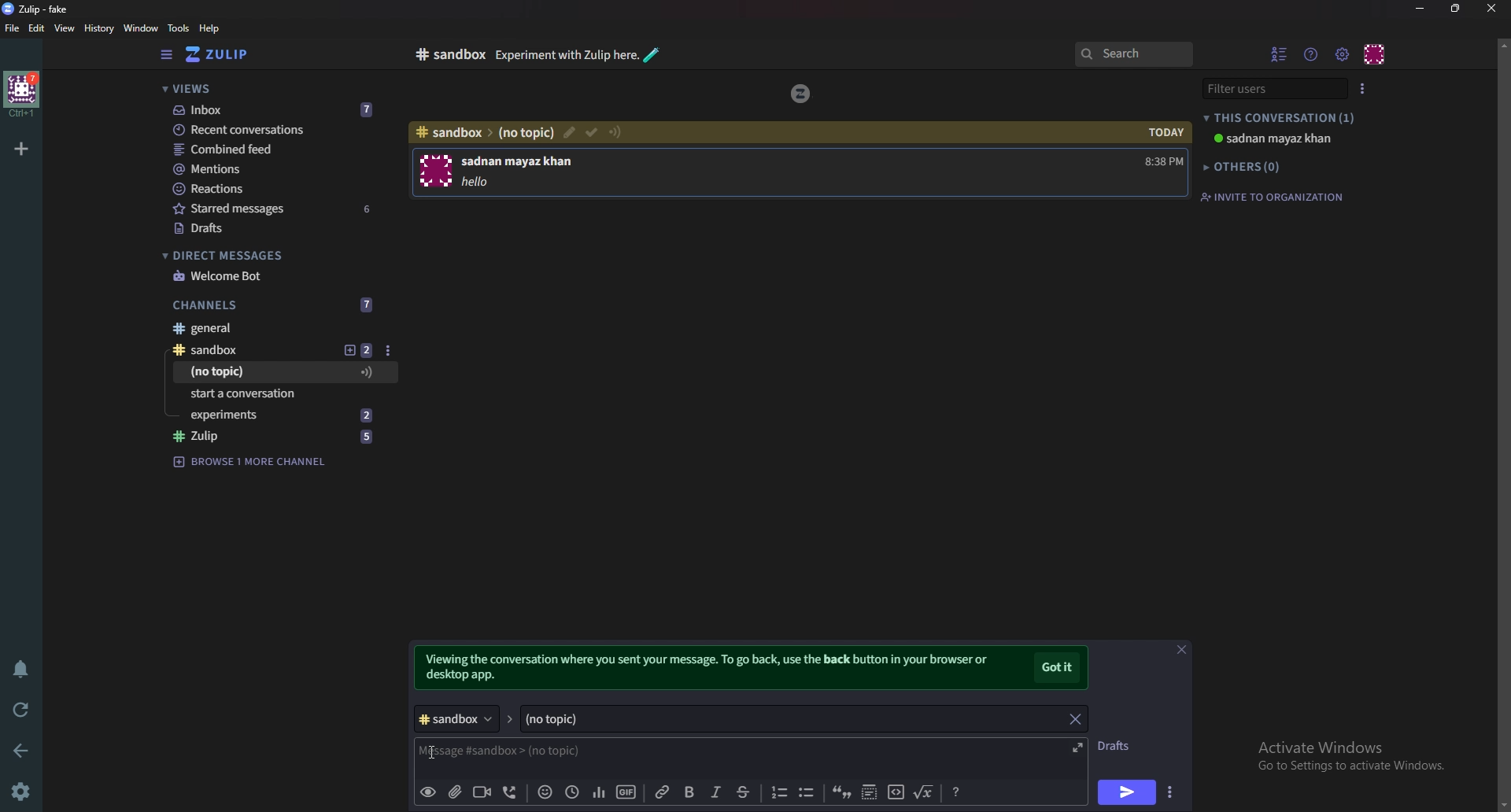  I want to click on # sandbox, so click(252, 350).